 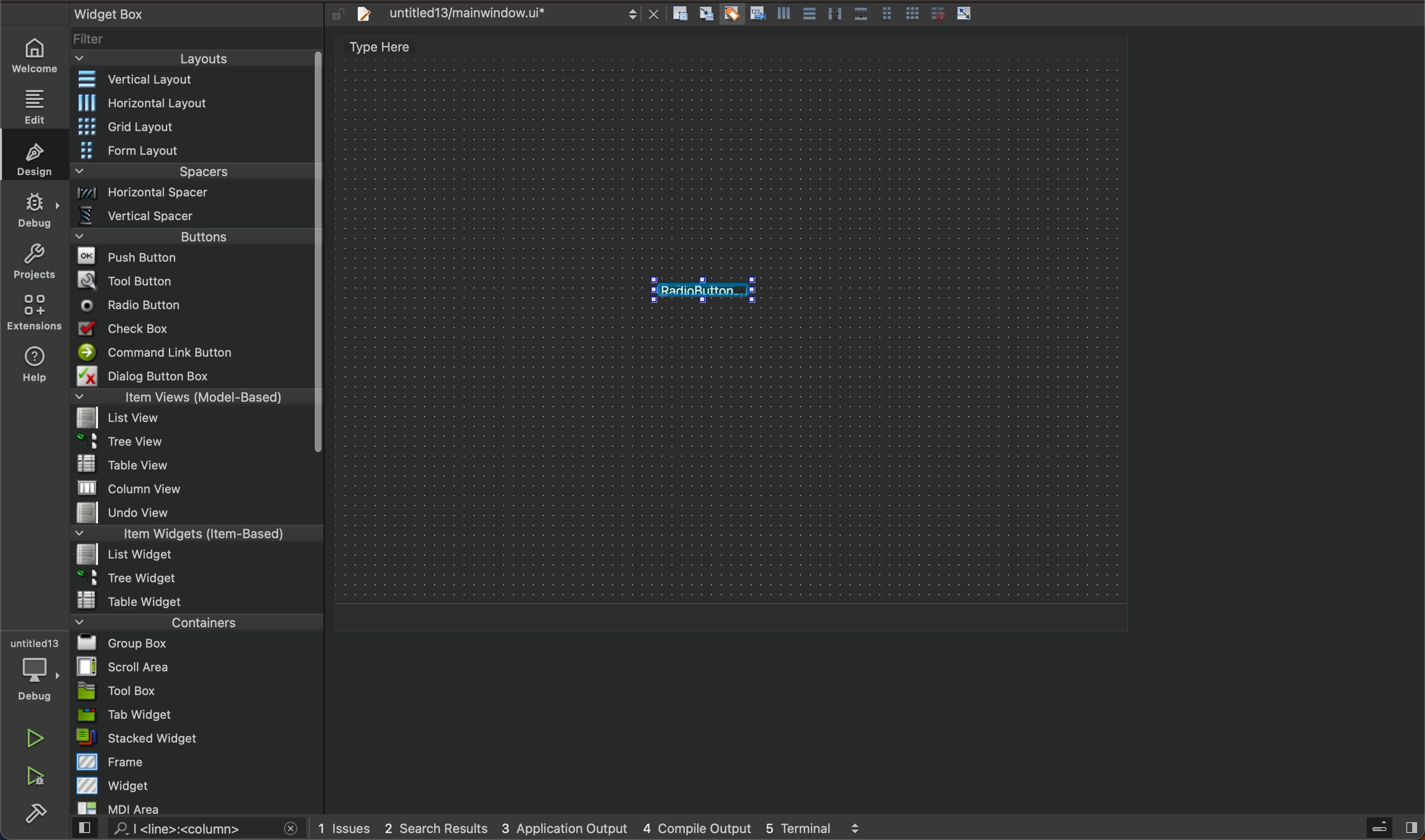 What do you see at coordinates (192, 331) in the screenshot?
I see `check box` at bounding box center [192, 331].